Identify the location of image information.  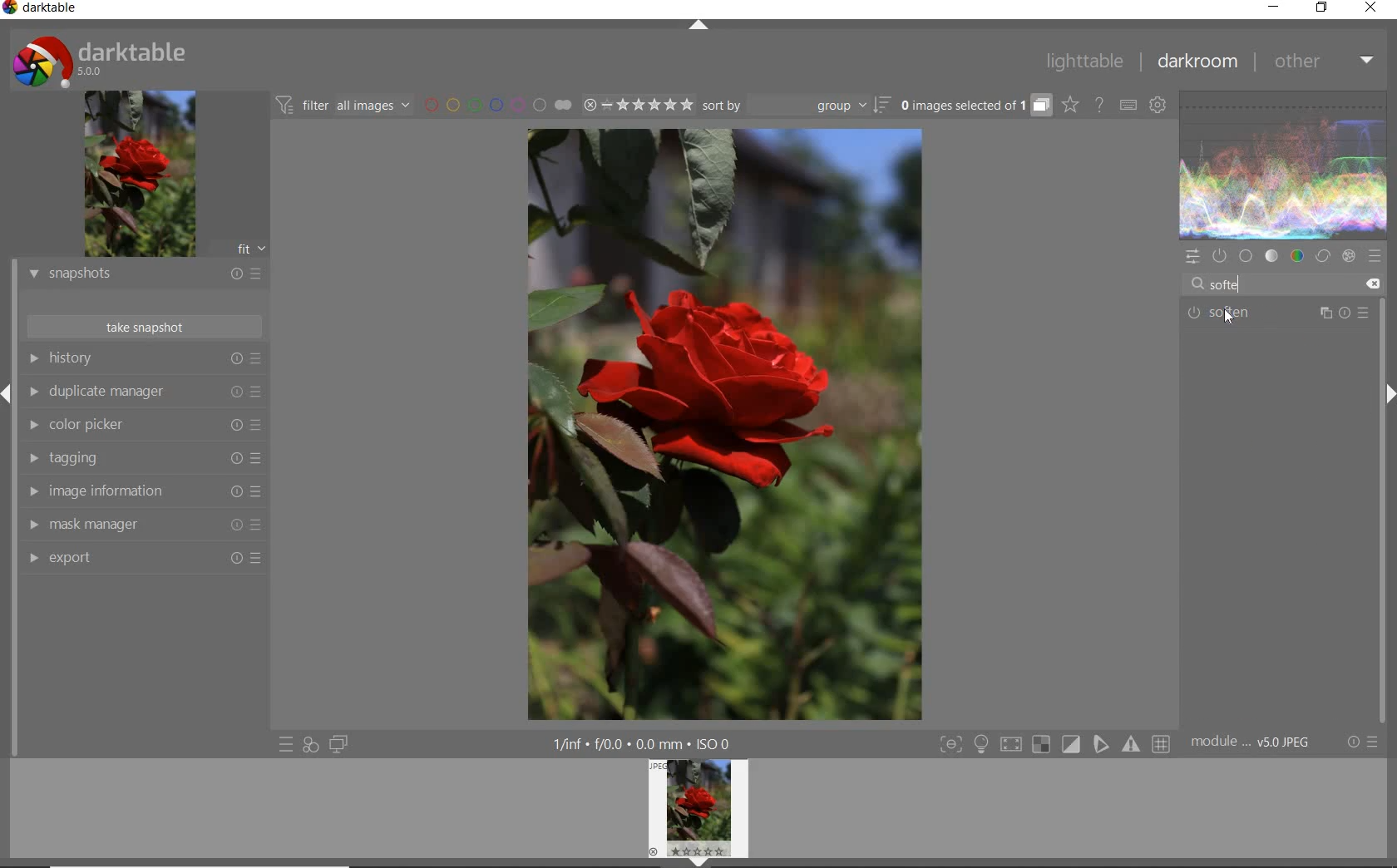
(142, 491).